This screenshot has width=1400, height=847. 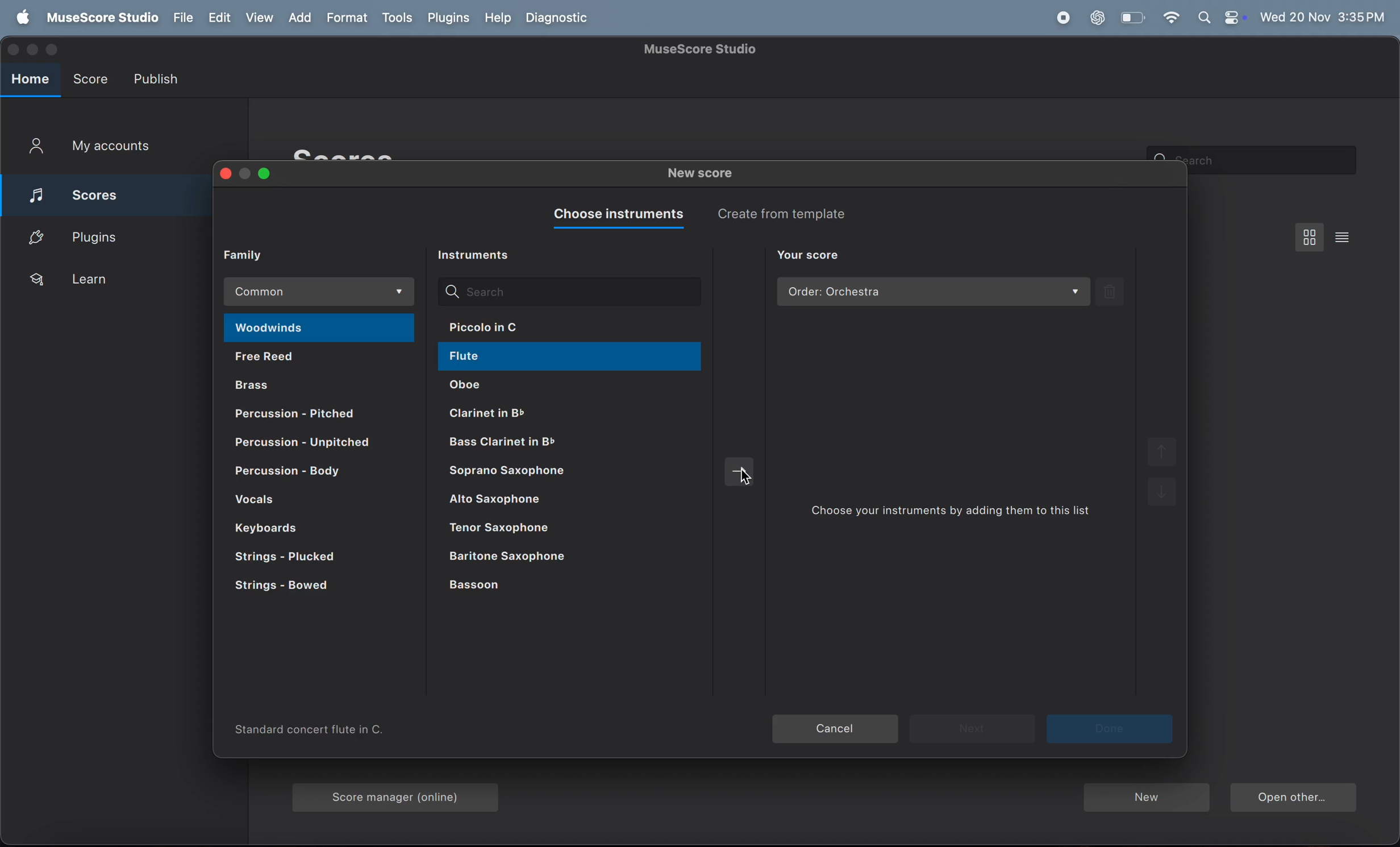 What do you see at coordinates (31, 80) in the screenshot?
I see `home` at bounding box center [31, 80].